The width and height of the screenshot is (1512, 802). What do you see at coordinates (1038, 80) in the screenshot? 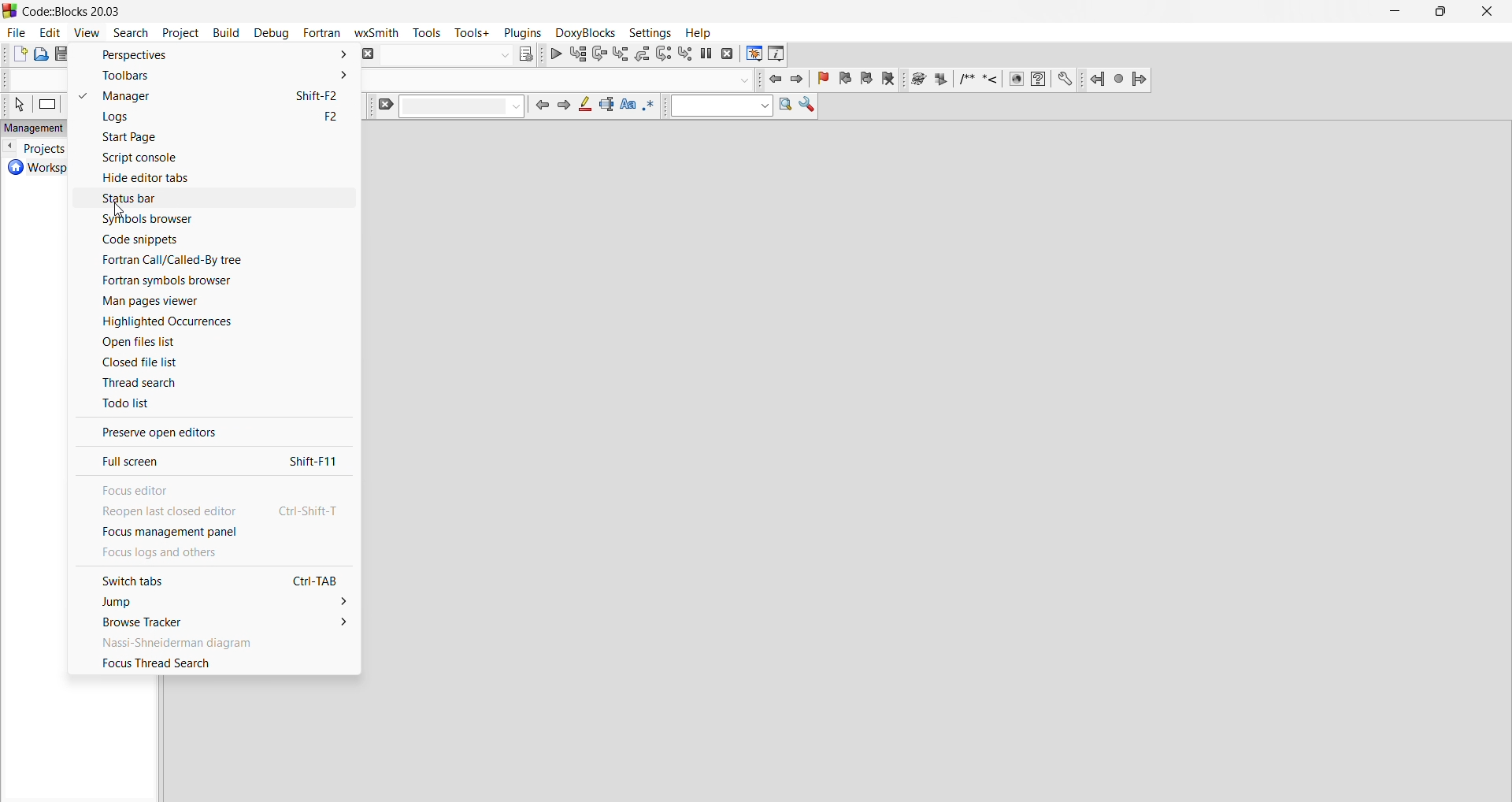
I see `HTML help` at bounding box center [1038, 80].